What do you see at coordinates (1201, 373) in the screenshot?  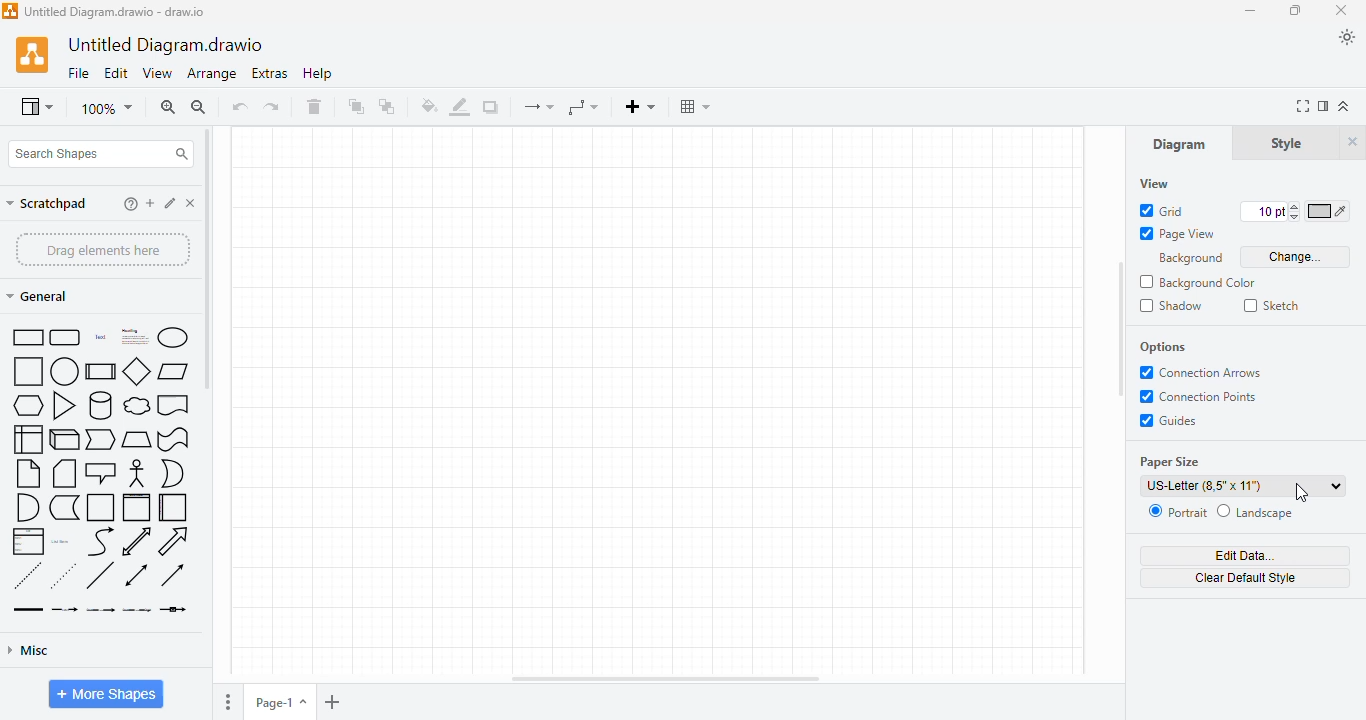 I see `connection arrows` at bounding box center [1201, 373].